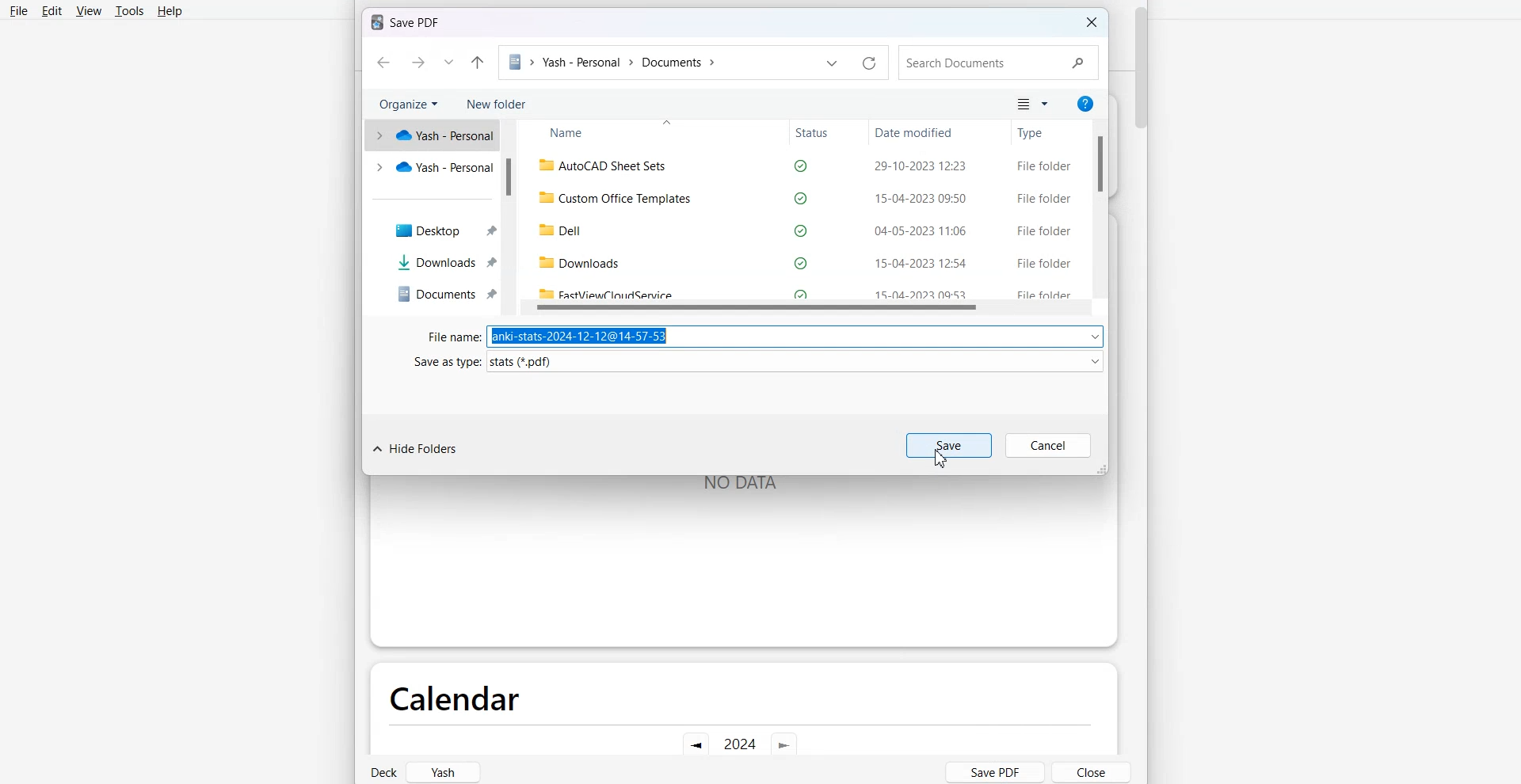  I want to click on Save , so click(947, 446).